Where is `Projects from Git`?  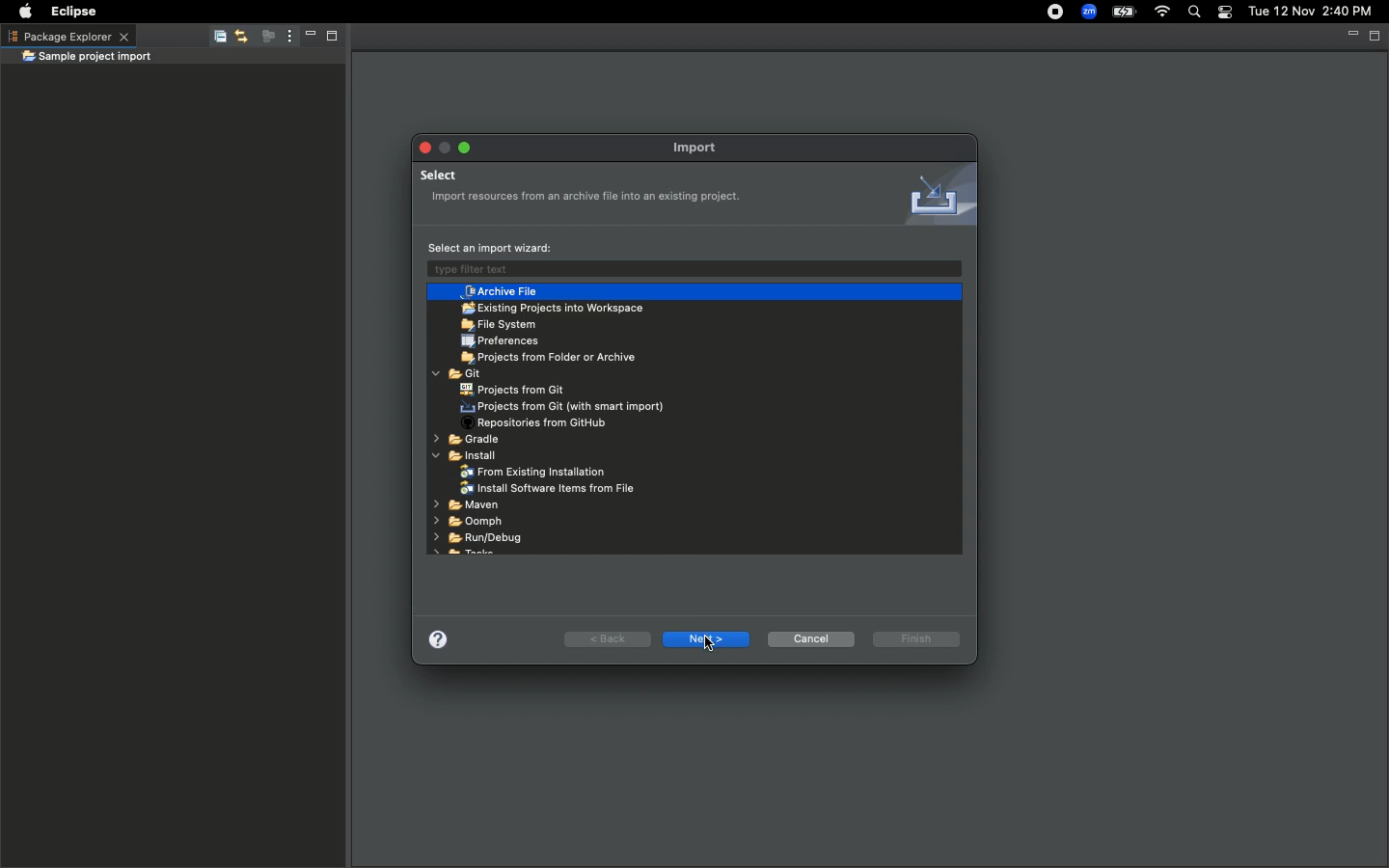 Projects from Git is located at coordinates (566, 407).